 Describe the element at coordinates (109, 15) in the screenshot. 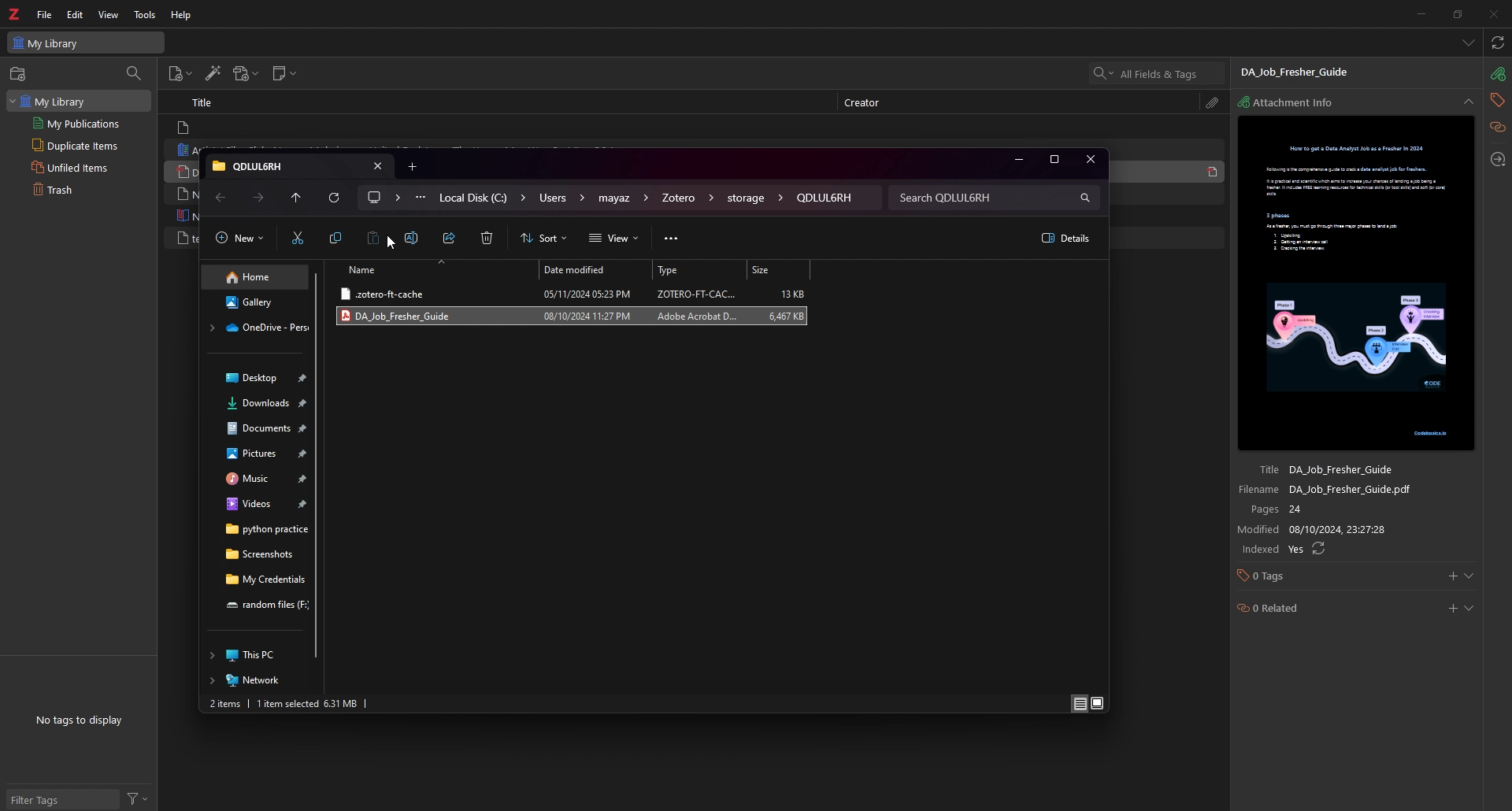

I see `view` at that location.